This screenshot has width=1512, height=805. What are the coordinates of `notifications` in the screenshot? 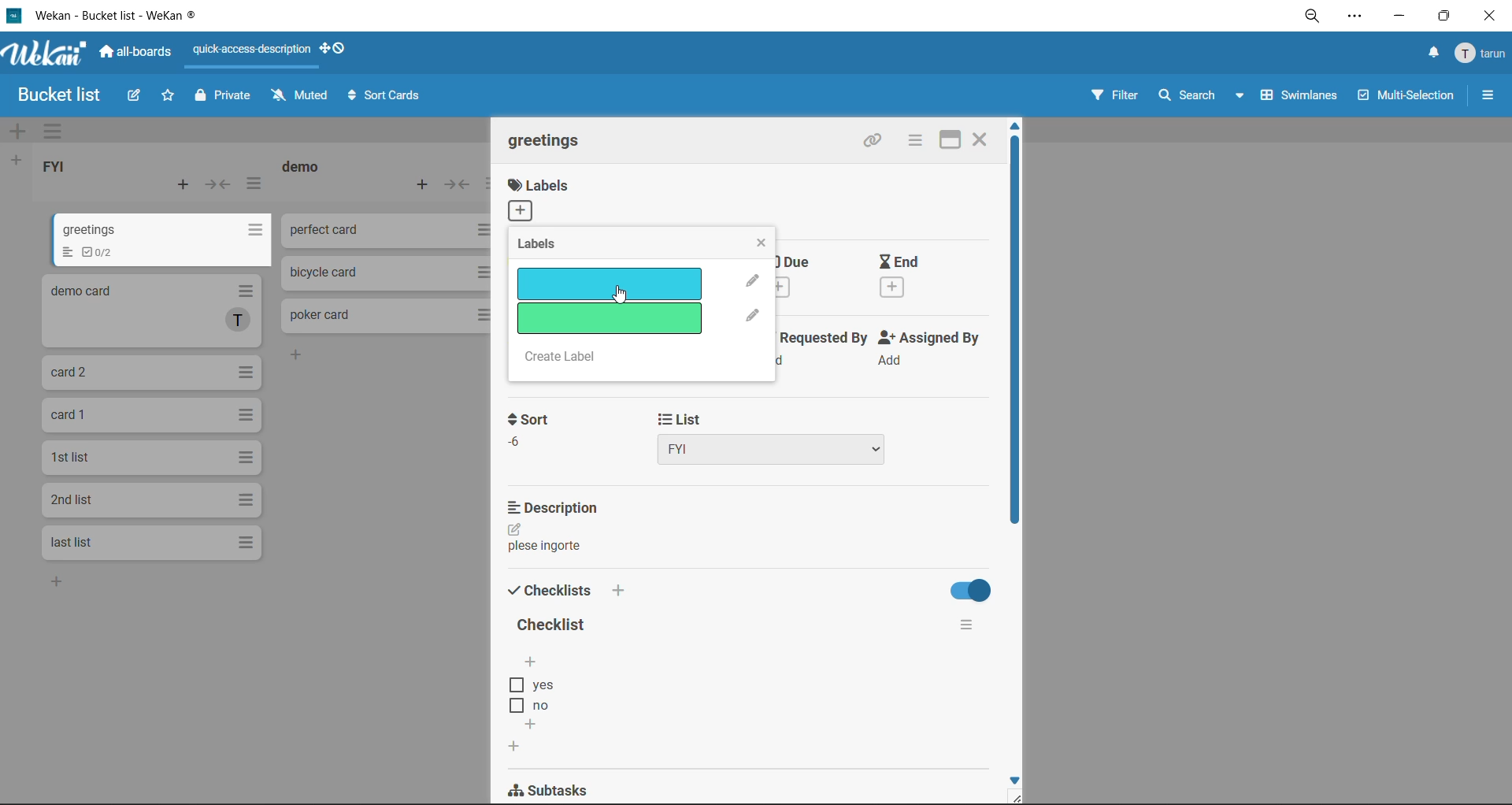 It's located at (1434, 54).